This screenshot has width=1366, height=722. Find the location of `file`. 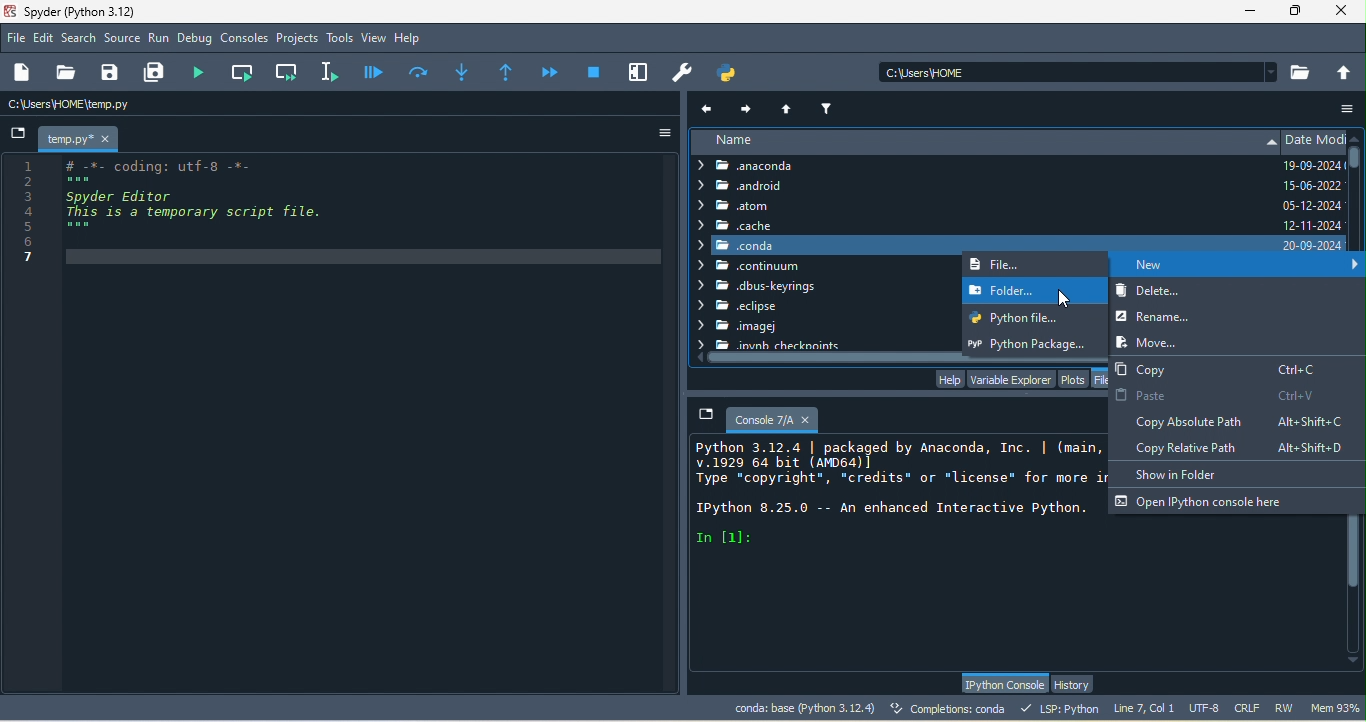

file is located at coordinates (1014, 265).